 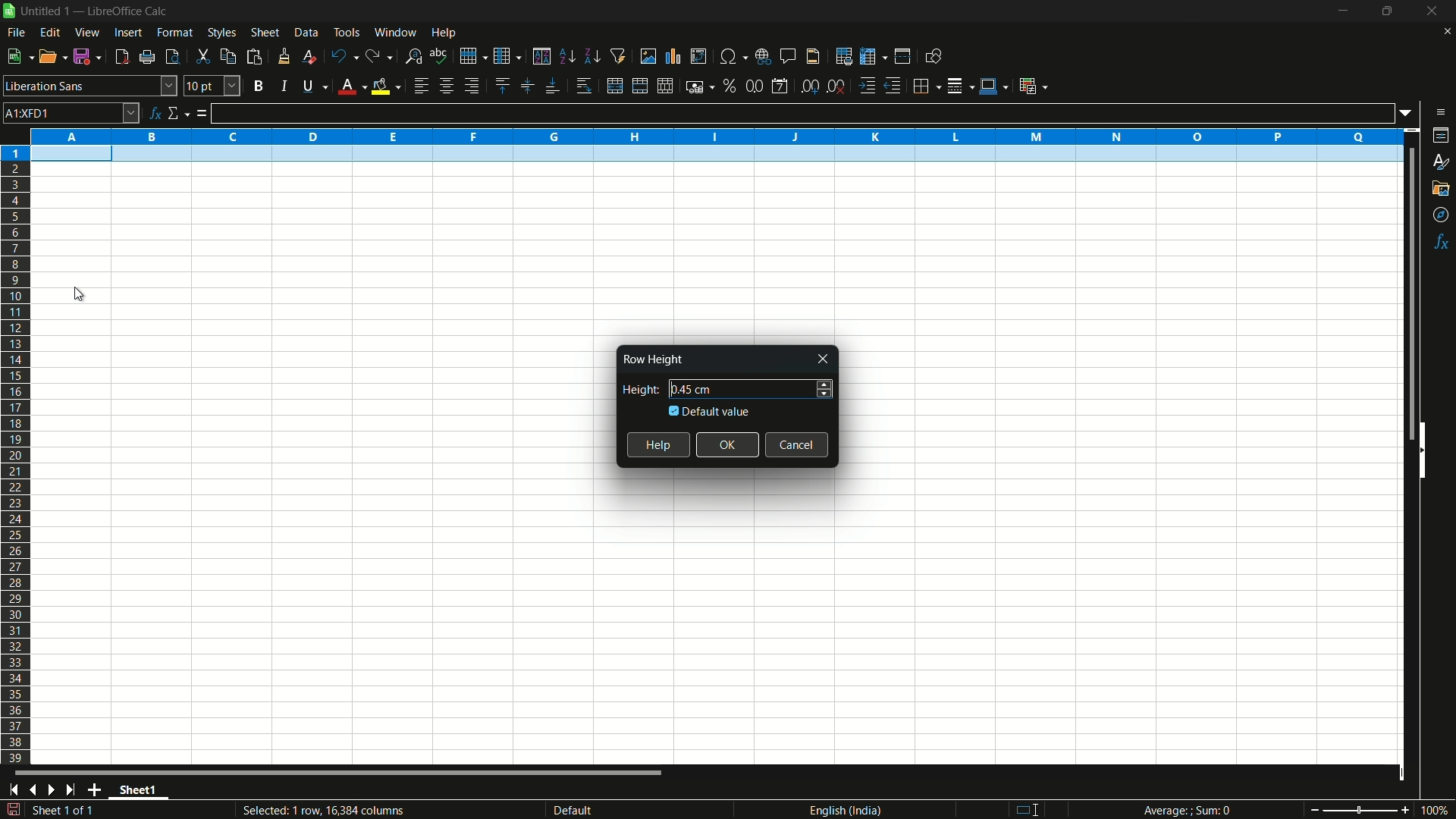 What do you see at coordinates (825, 382) in the screenshot?
I see `increase height` at bounding box center [825, 382].